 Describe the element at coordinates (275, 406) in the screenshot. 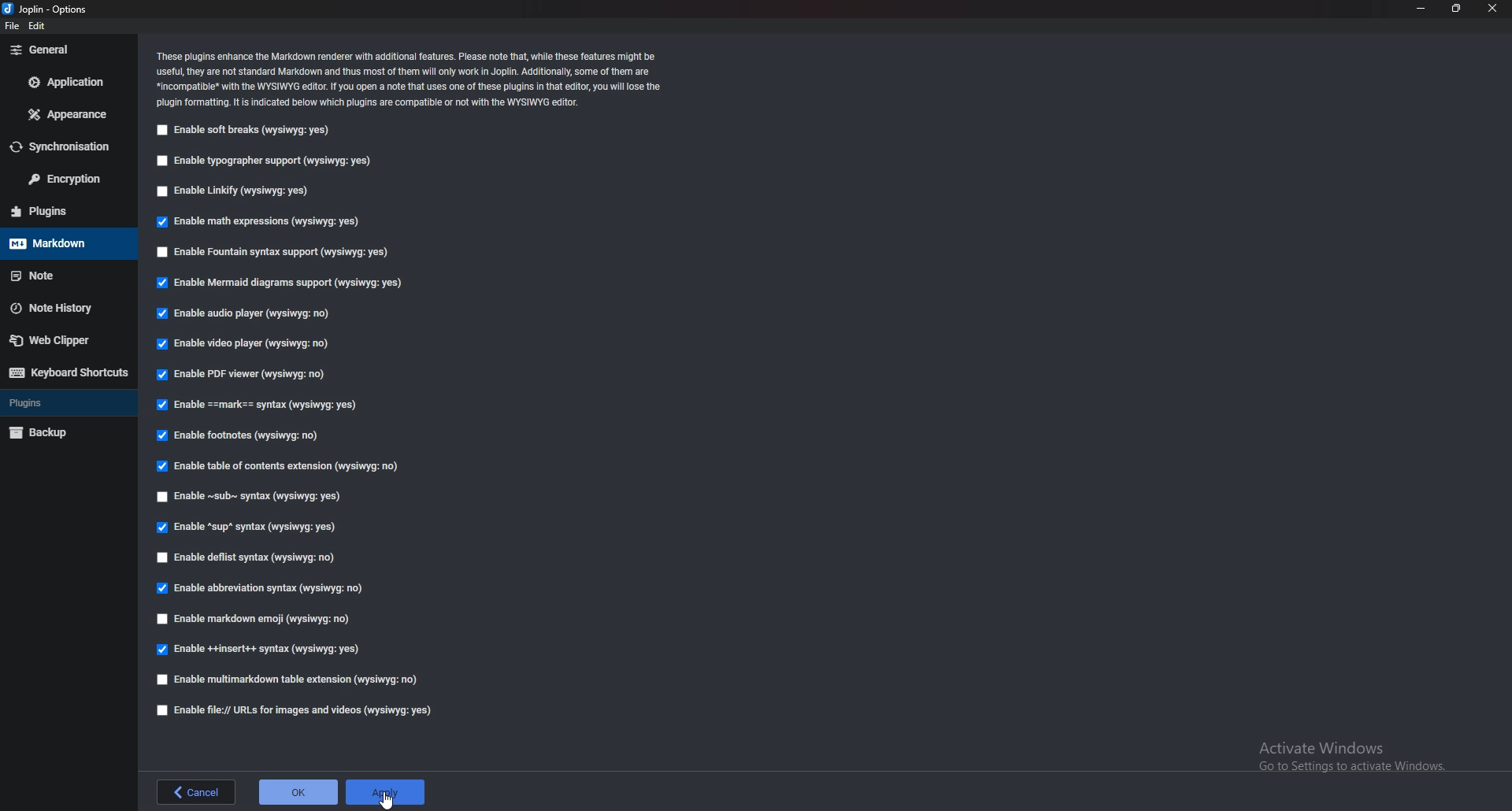

I see `Enable Mark Syntax` at that location.